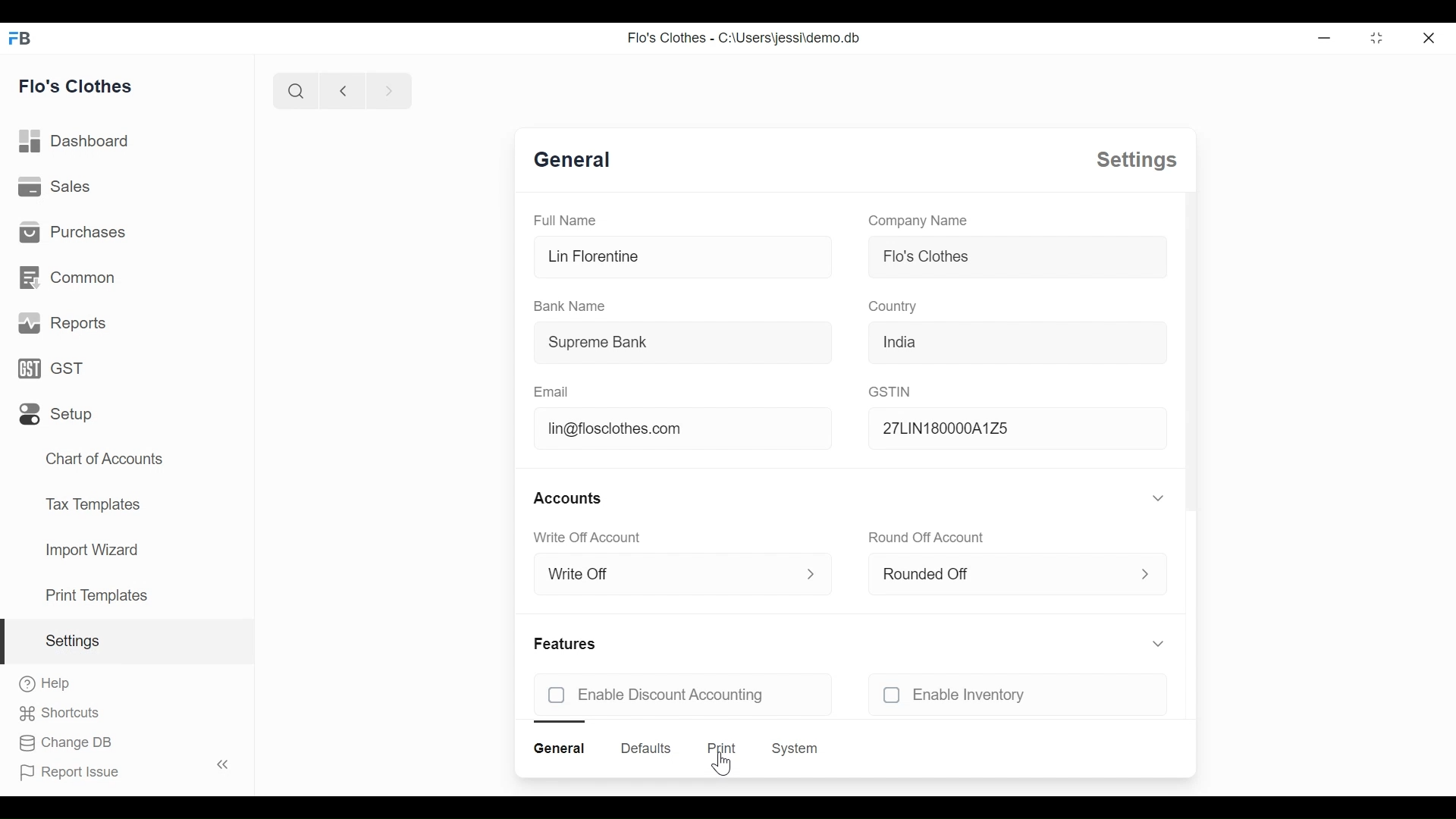 This screenshot has width=1456, height=819. Describe the element at coordinates (75, 141) in the screenshot. I see `dashboard` at that location.